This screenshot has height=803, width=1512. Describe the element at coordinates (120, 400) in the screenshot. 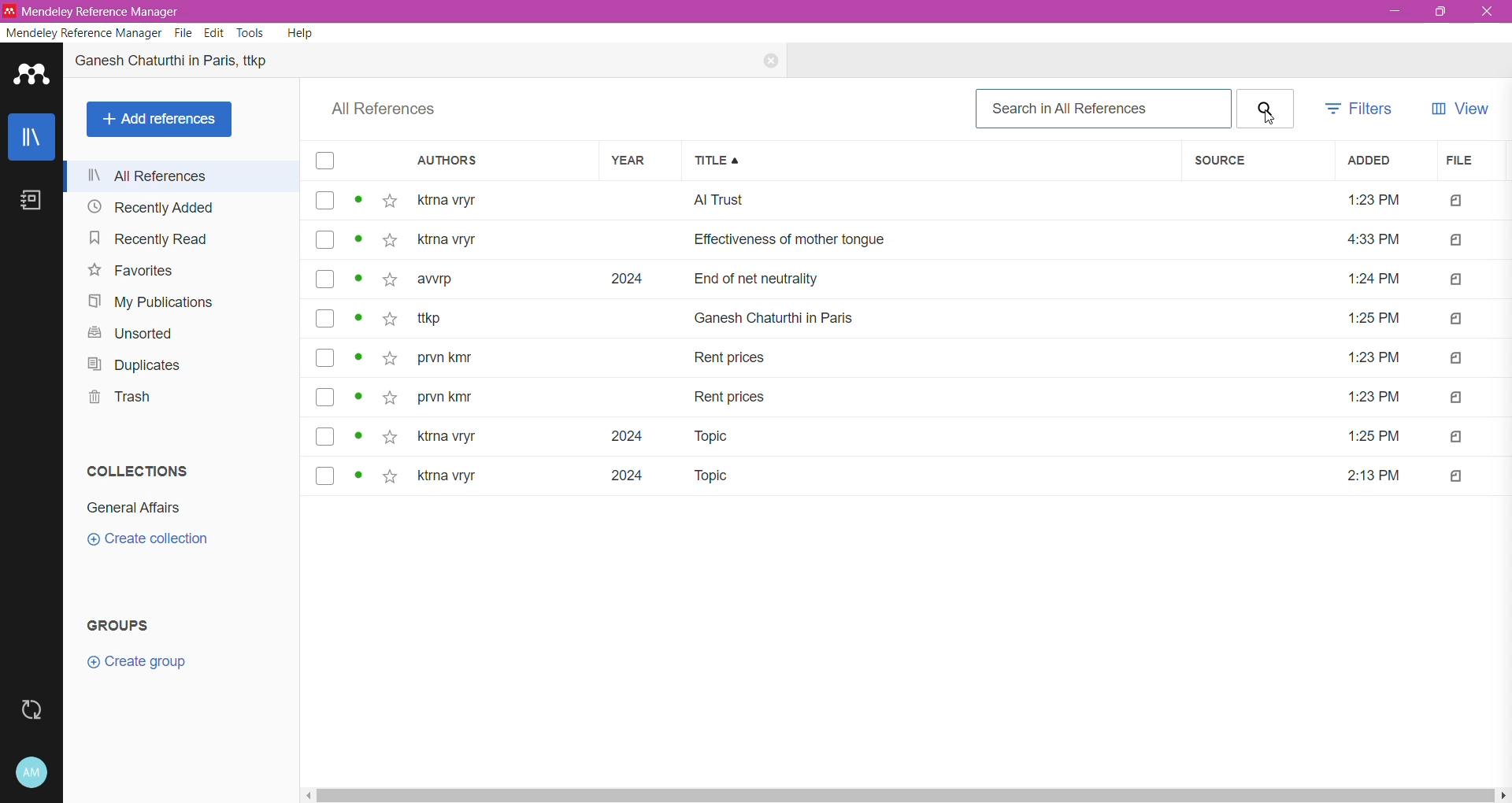

I see `Trash` at that location.